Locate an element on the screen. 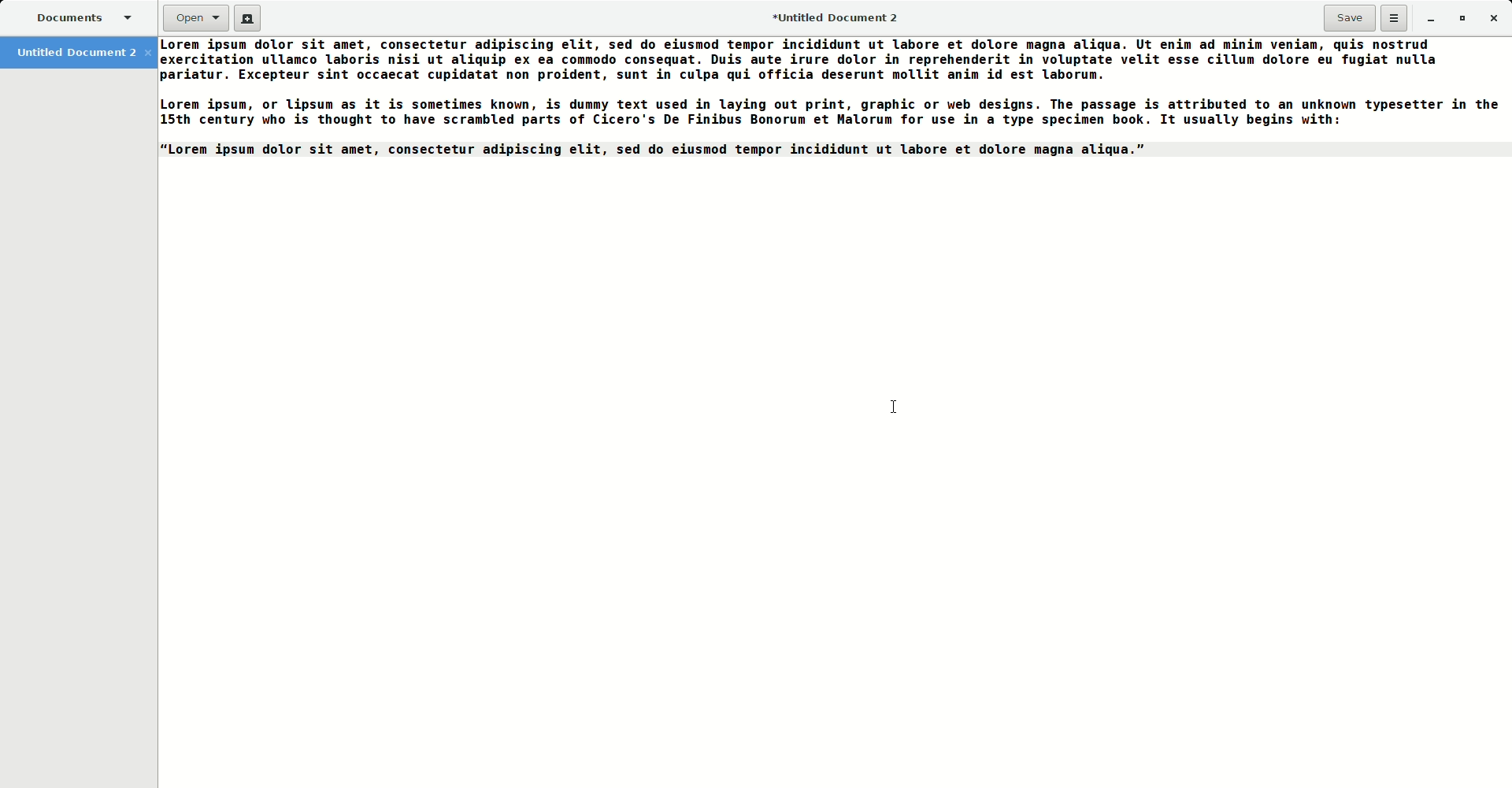 This screenshot has width=1512, height=788. Save is located at coordinates (1347, 16).